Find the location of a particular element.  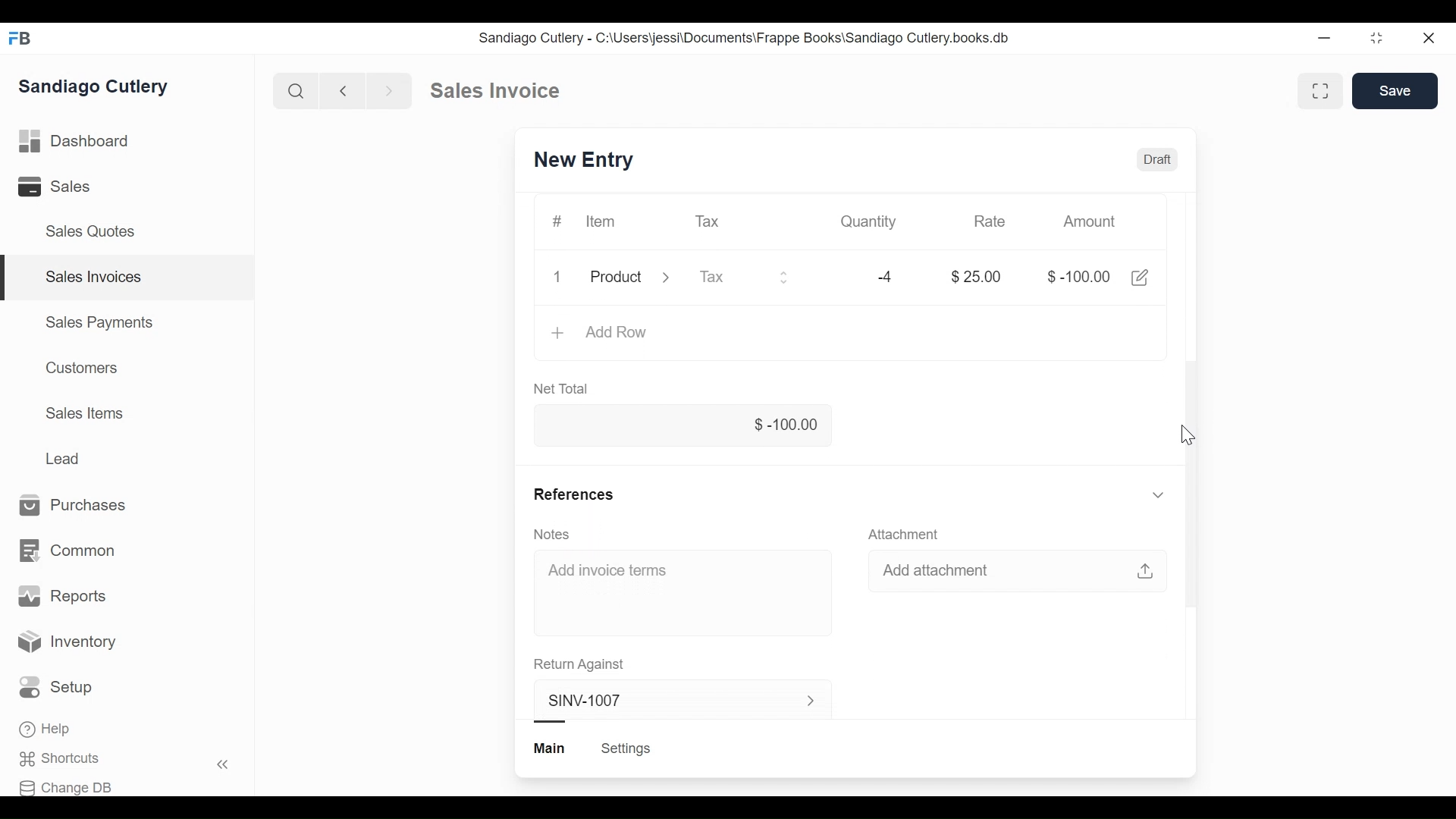

Notes is located at coordinates (554, 534).